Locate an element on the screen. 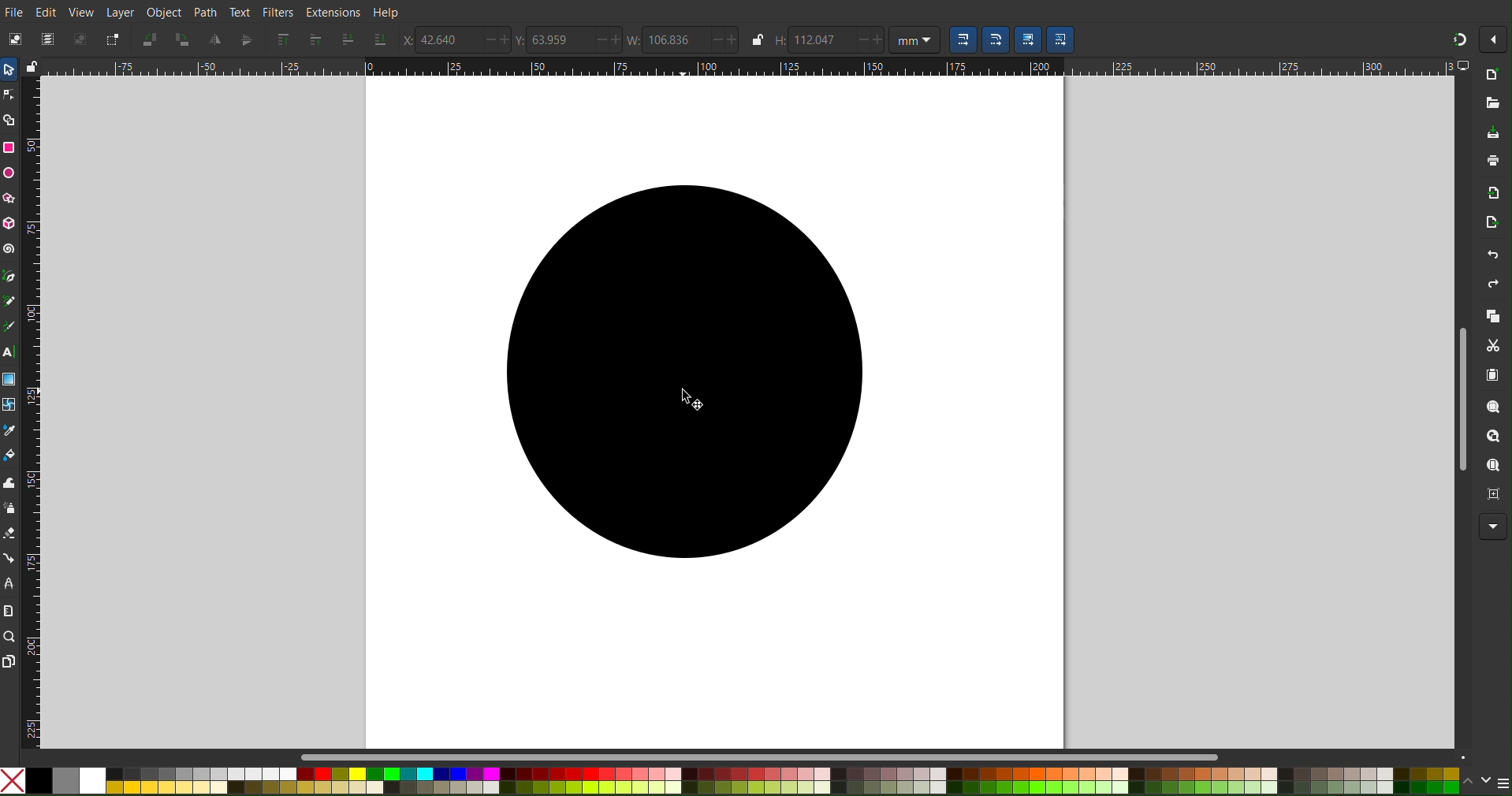 The width and height of the screenshot is (1512, 796). Width is located at coordinates (632, 39).